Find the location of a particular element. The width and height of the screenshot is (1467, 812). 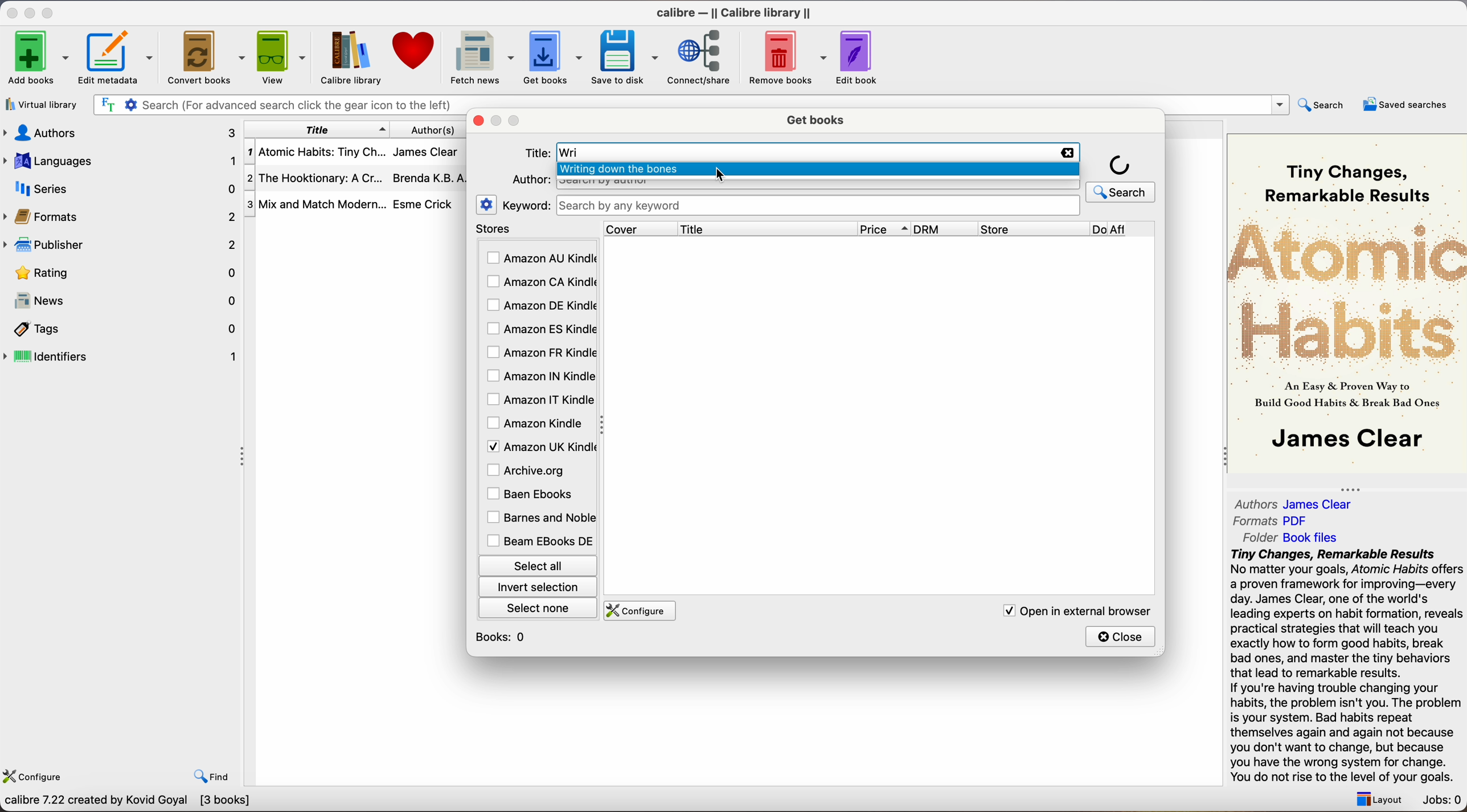

find is located at coordinates (212, 776).